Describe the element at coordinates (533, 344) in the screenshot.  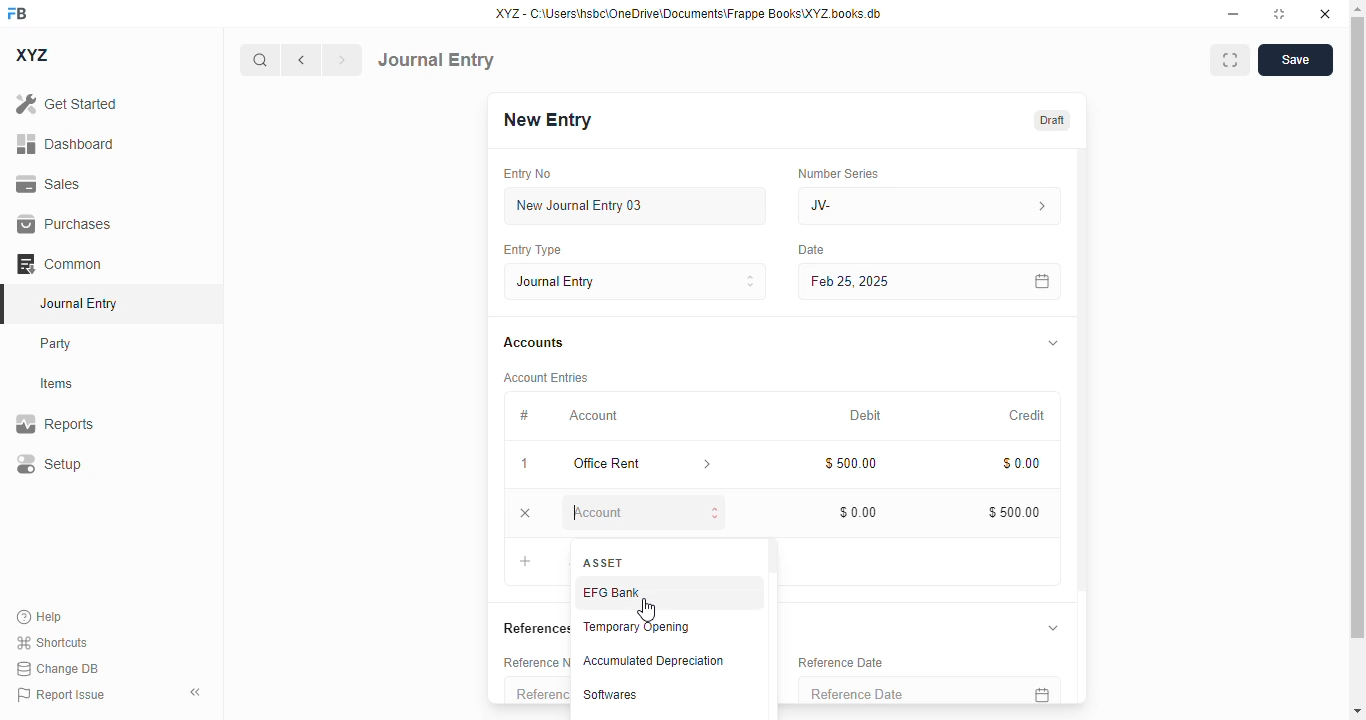
I see `accounts` at that location.